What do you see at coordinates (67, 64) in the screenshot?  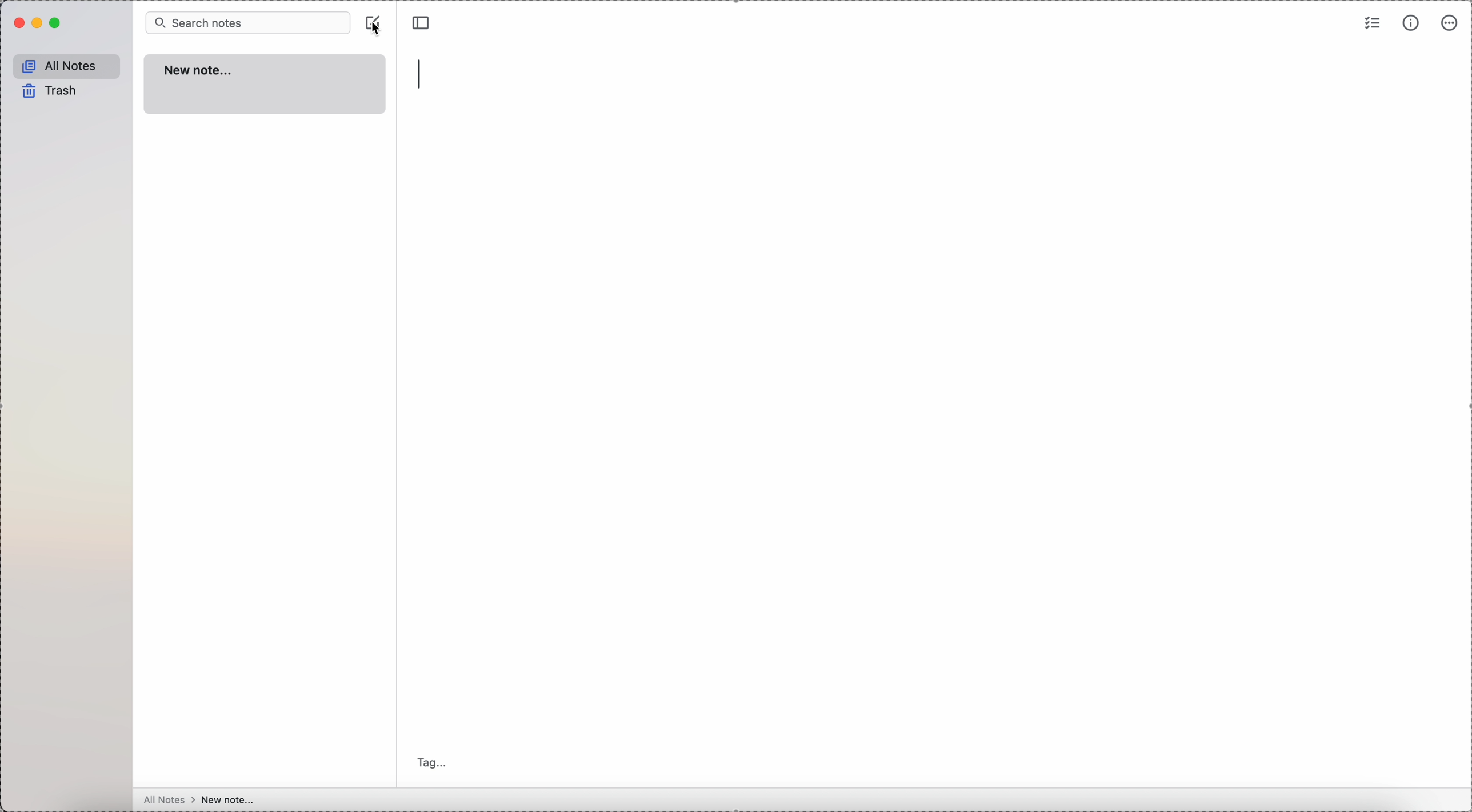 I see `all notes` at bounding box center [67, 64].